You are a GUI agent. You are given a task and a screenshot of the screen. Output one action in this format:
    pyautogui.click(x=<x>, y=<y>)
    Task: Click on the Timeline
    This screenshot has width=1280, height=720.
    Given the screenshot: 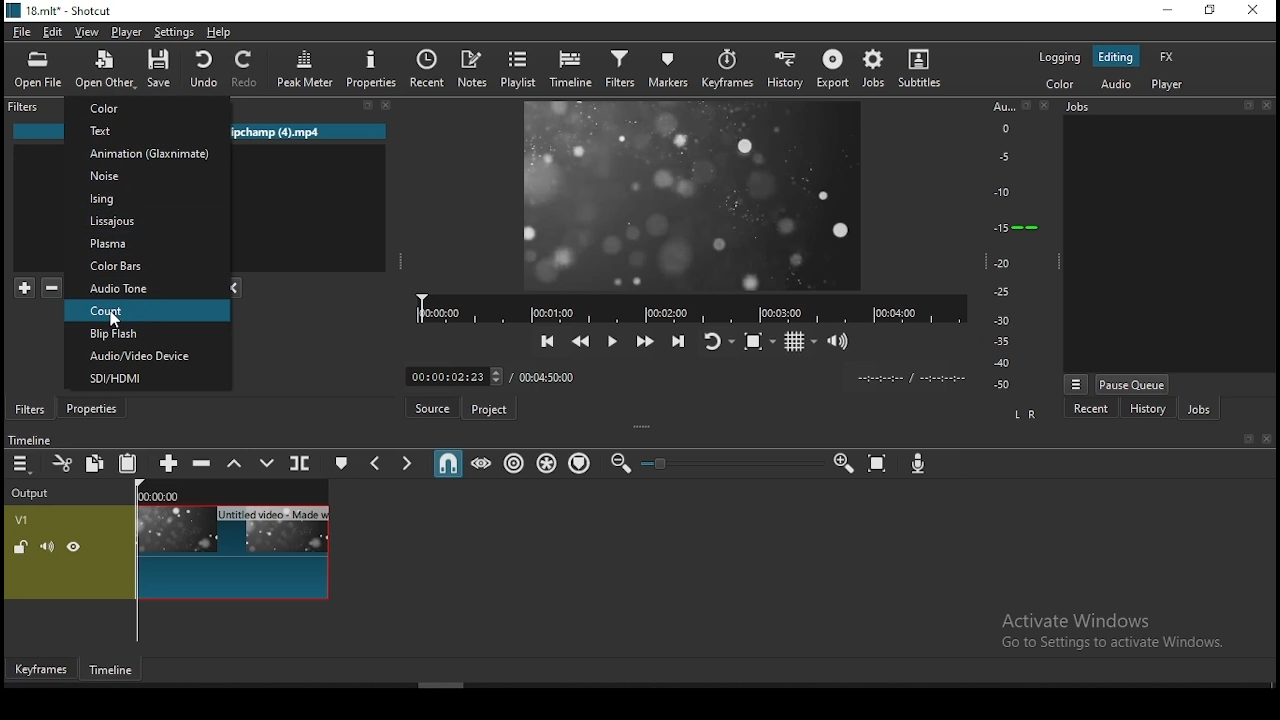 What is the action you would take?
    pyautogui.click(x=109, y=669)
    